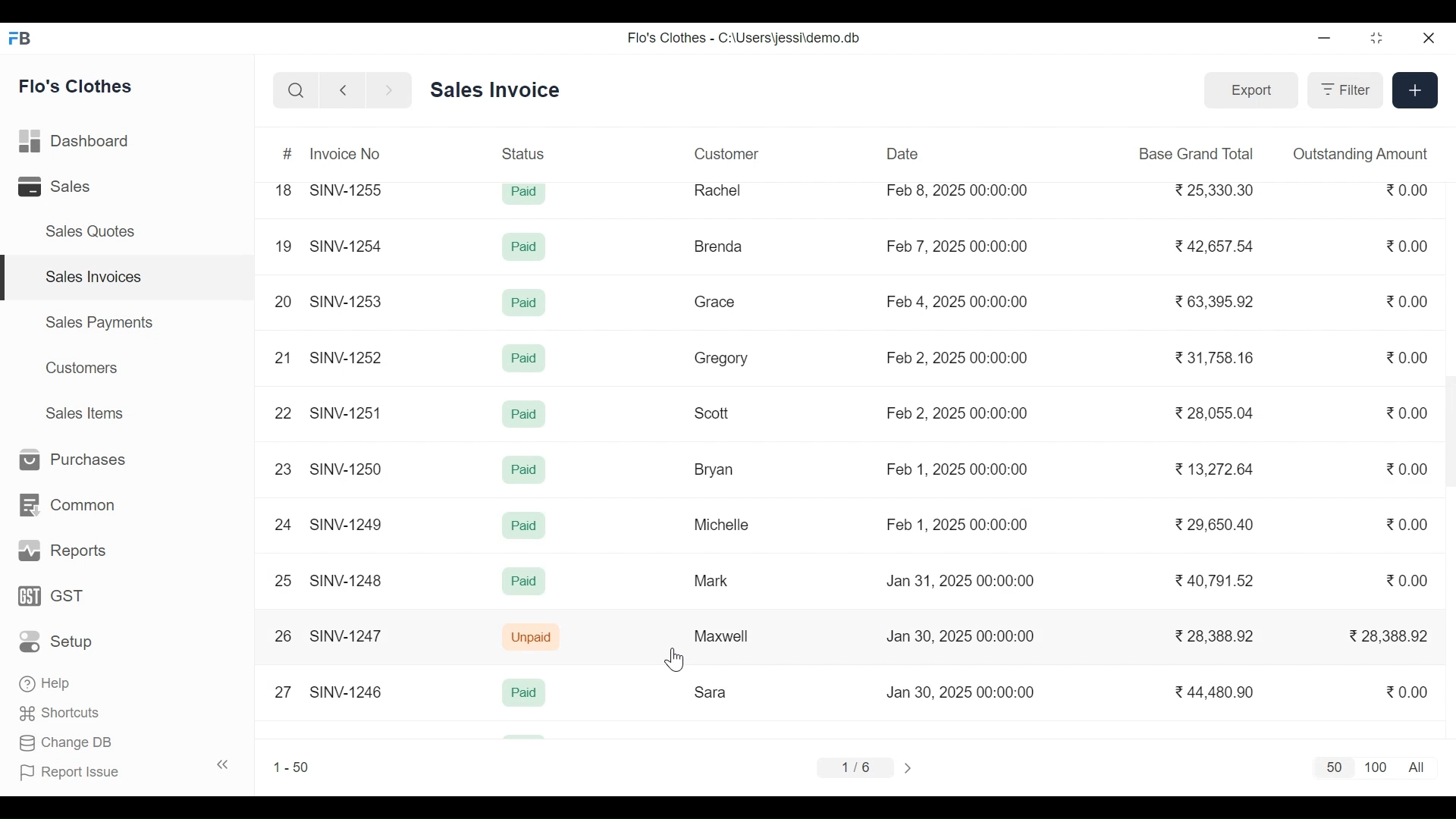 The image size is (1456, 819). What do you see at coordinates (284, 469) in the screenshot?
I see `23` at bounding box center [284, 469].